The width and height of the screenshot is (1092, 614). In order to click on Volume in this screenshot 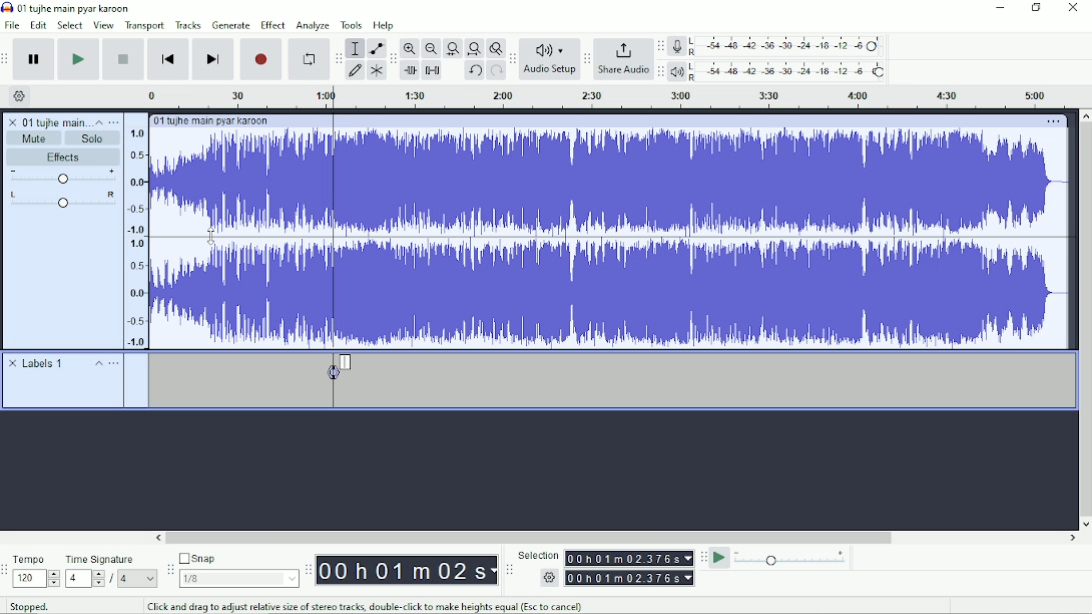, I will do `click(62, 177)`.